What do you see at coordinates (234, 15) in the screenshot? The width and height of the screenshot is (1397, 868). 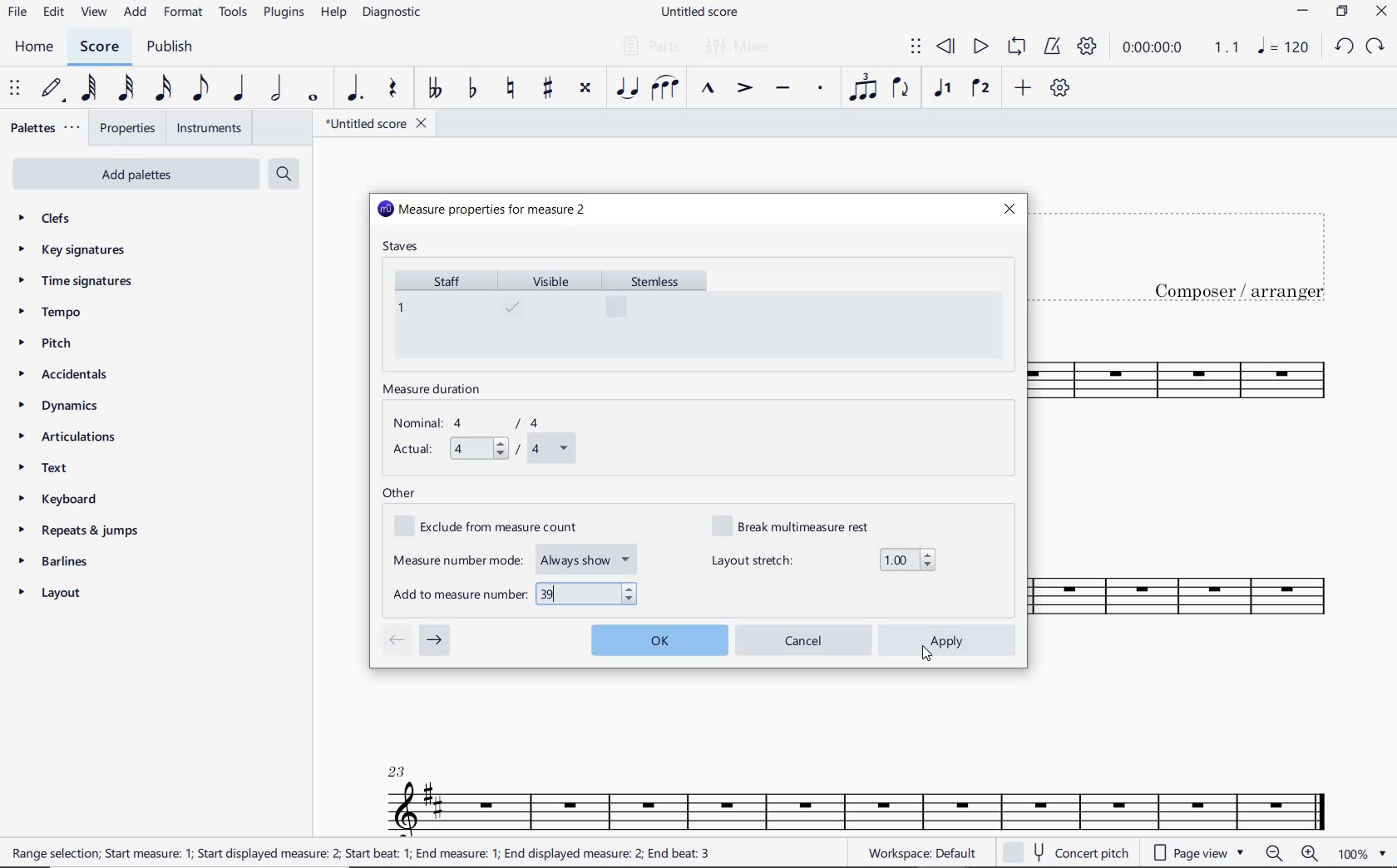 I see `TOOLS` at bounding box center [234, 15].